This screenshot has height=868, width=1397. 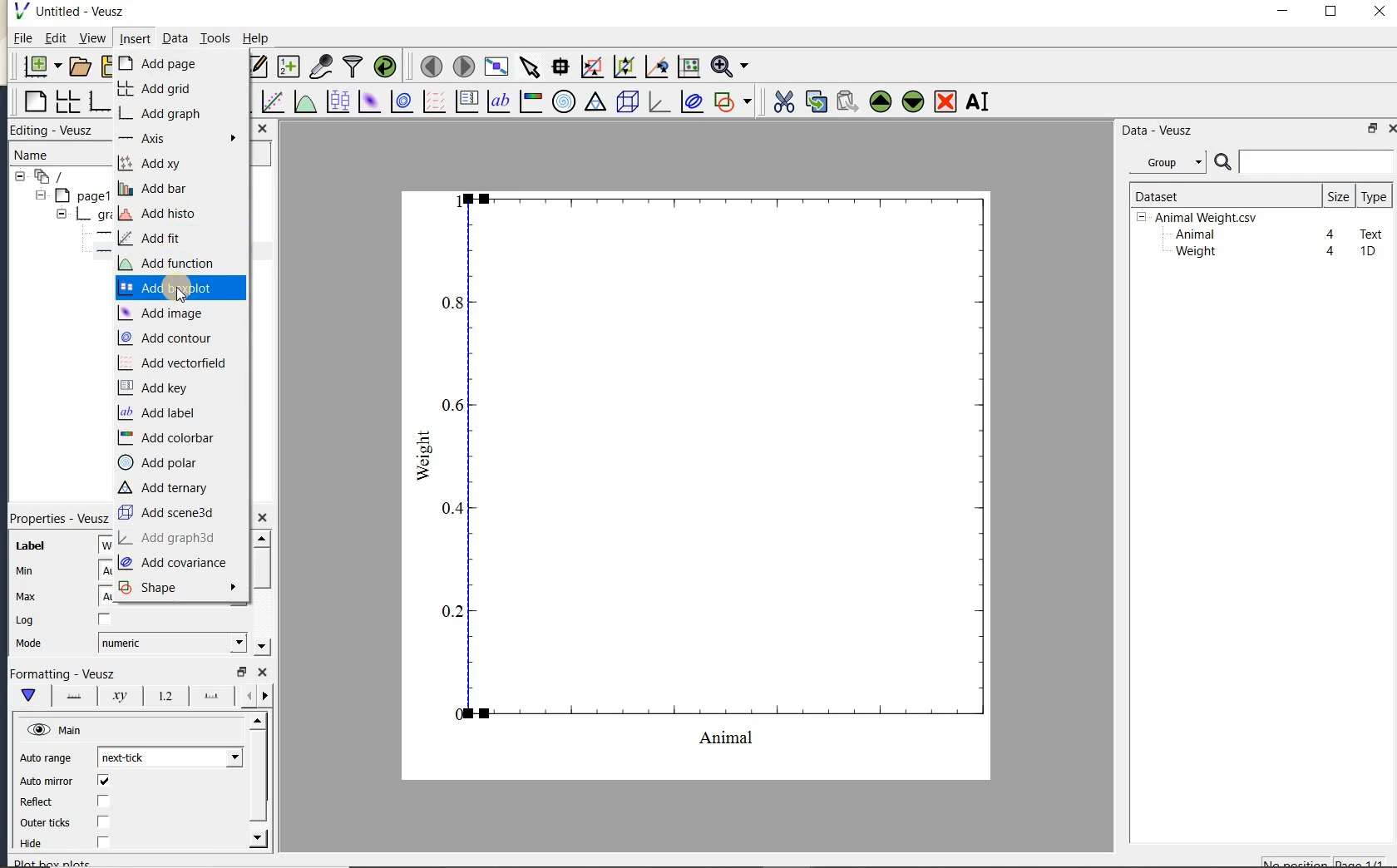 What do you see at coordinates (49, 155) in the screenshot?
I see `Name` at bounding box center [49, 155].